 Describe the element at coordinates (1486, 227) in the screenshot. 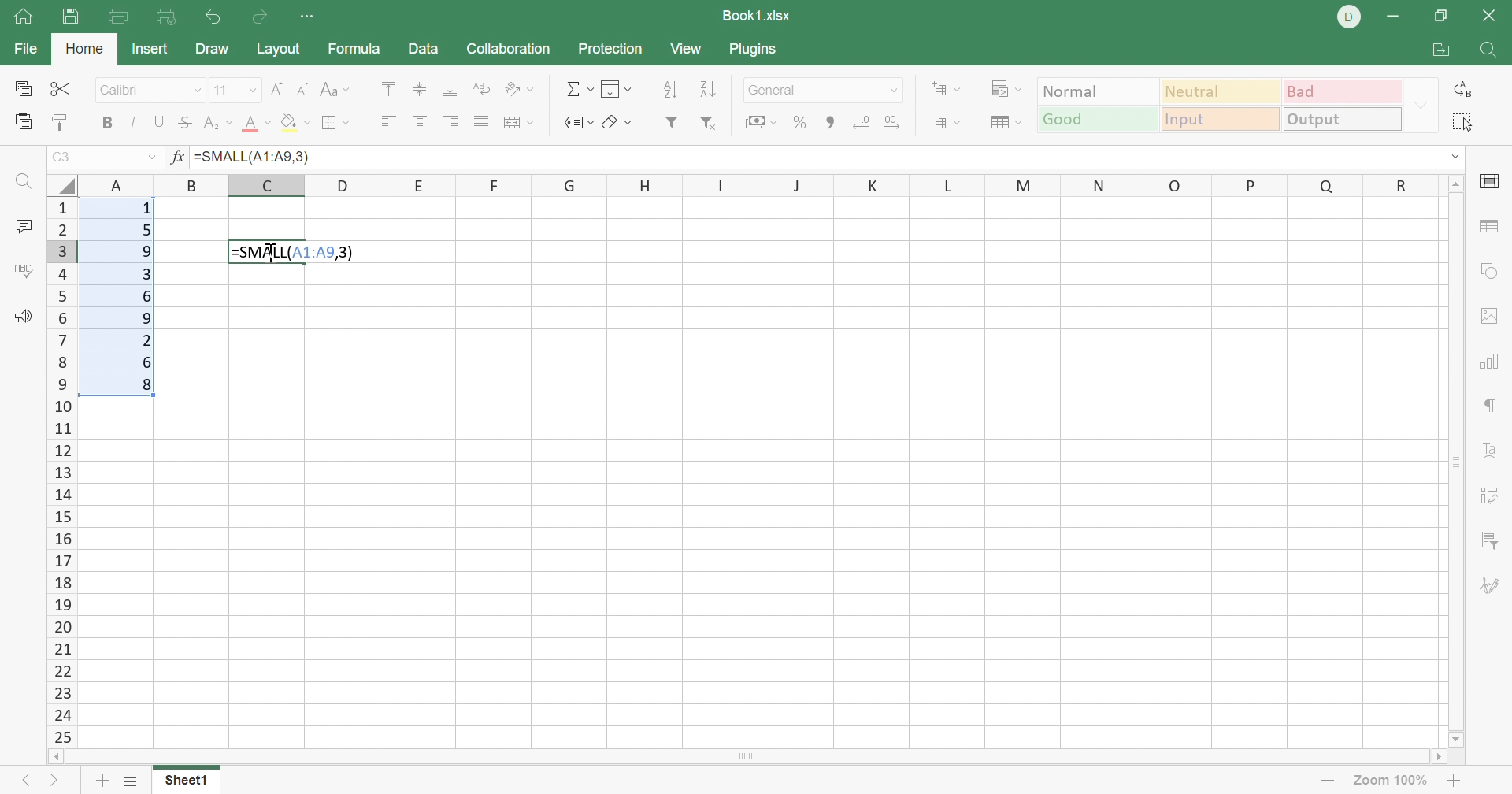

I see `Table settings` at that location.